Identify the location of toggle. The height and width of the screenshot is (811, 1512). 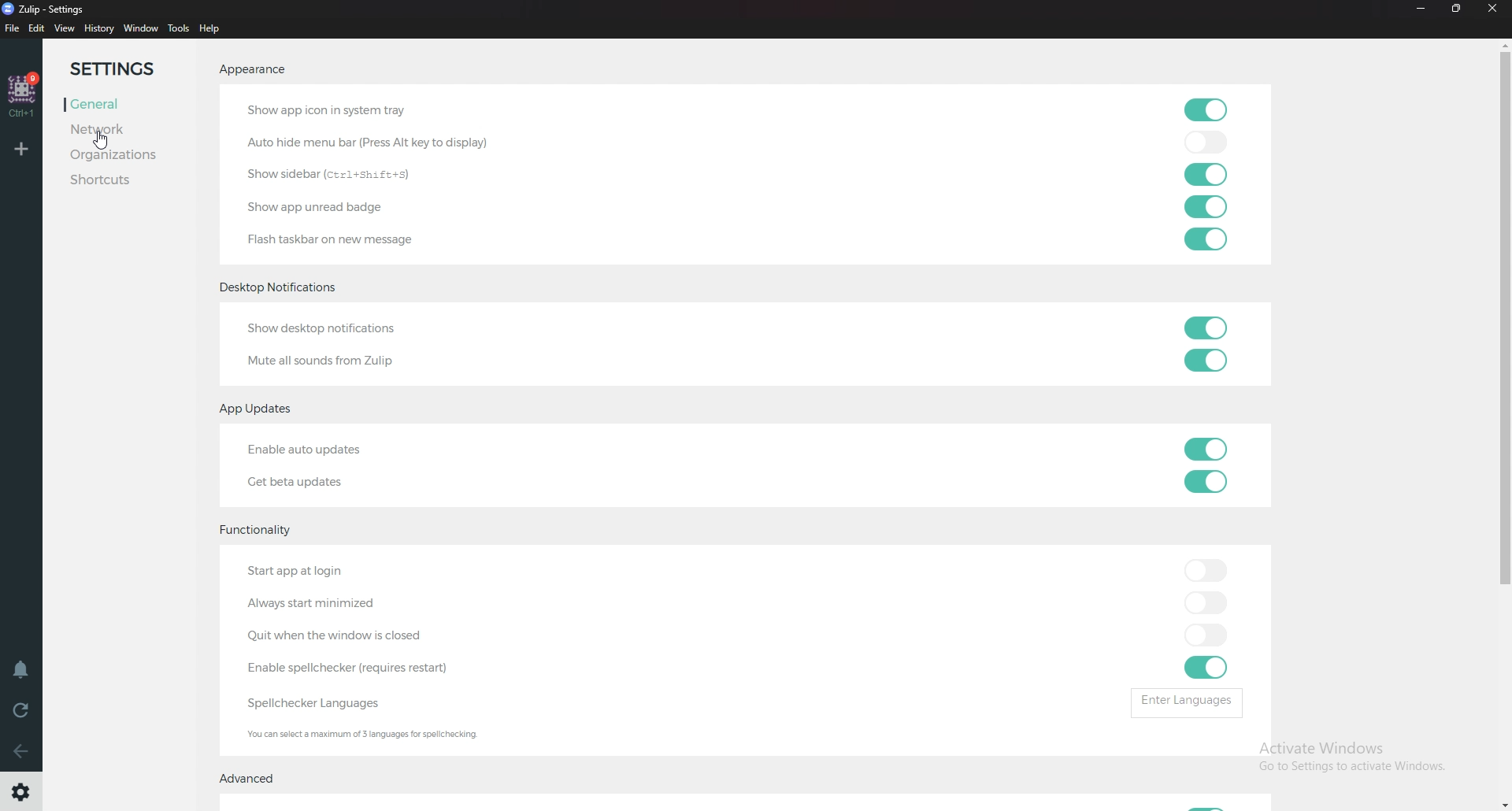
(1210, 361).